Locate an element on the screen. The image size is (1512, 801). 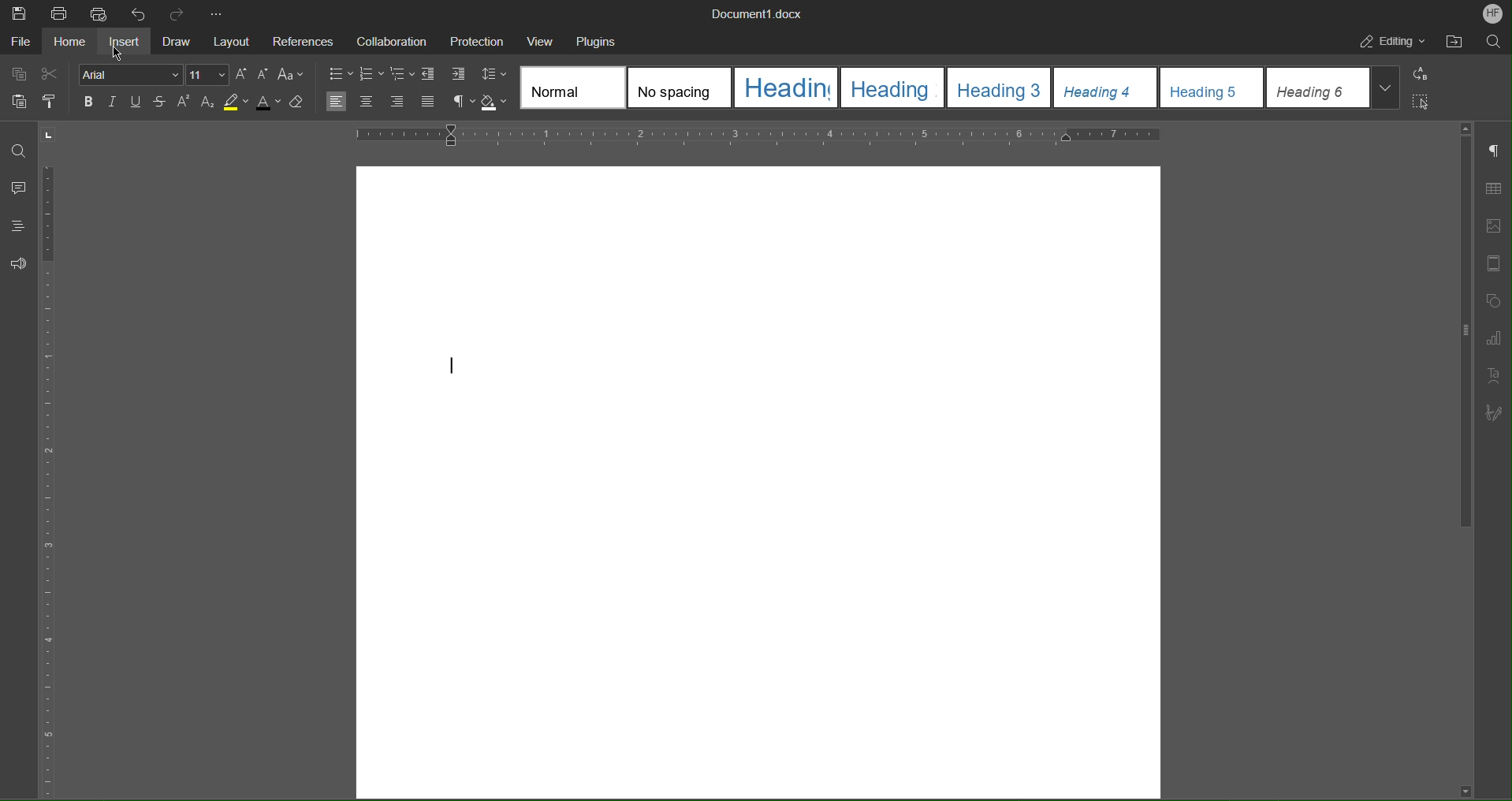
Editing is located at coordinates (1392, 42).